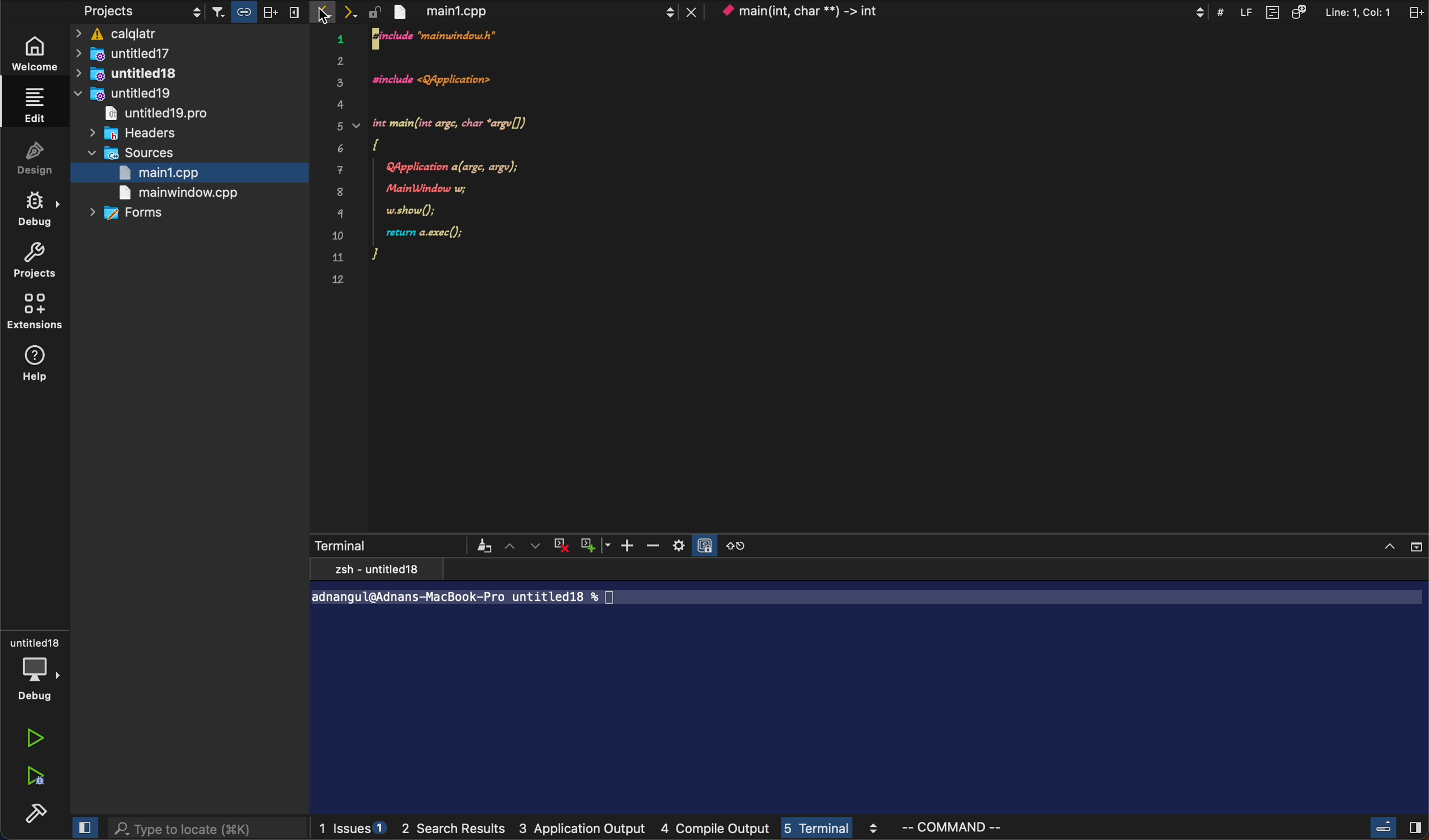 This screenshot has height=840, width=1429. Describe the element at coordinates (142, 134) in the screenshot. I see `headers` at that location.